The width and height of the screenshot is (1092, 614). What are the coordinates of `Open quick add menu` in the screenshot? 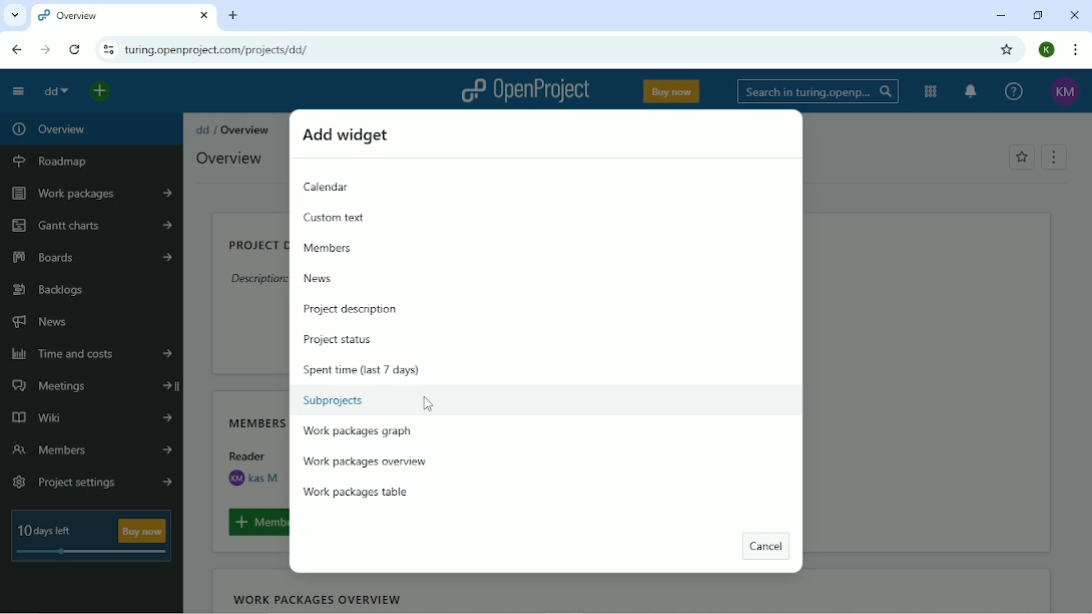 It's located at (100, 91).